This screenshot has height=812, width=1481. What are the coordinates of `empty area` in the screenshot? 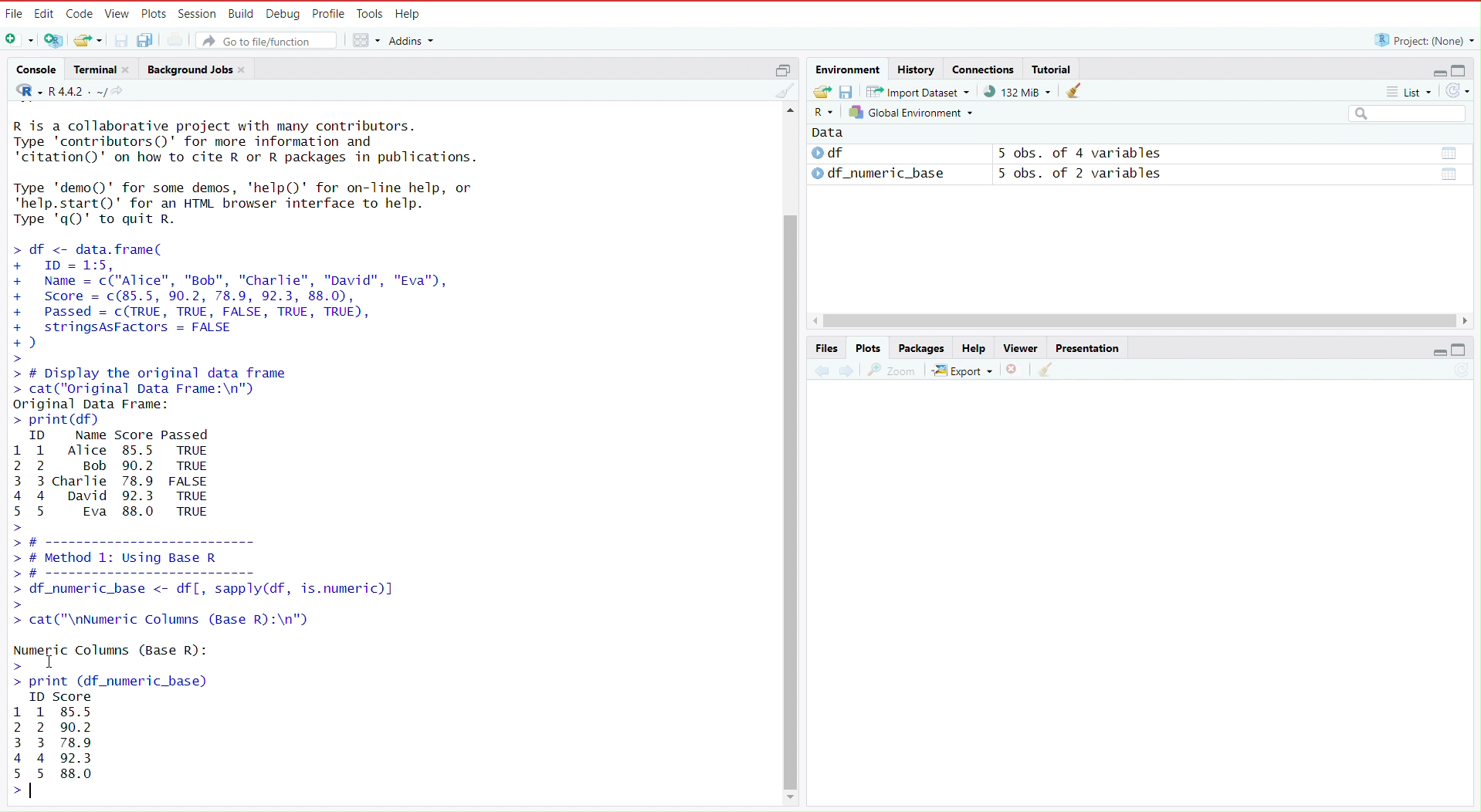 It's located at (1135, 604).